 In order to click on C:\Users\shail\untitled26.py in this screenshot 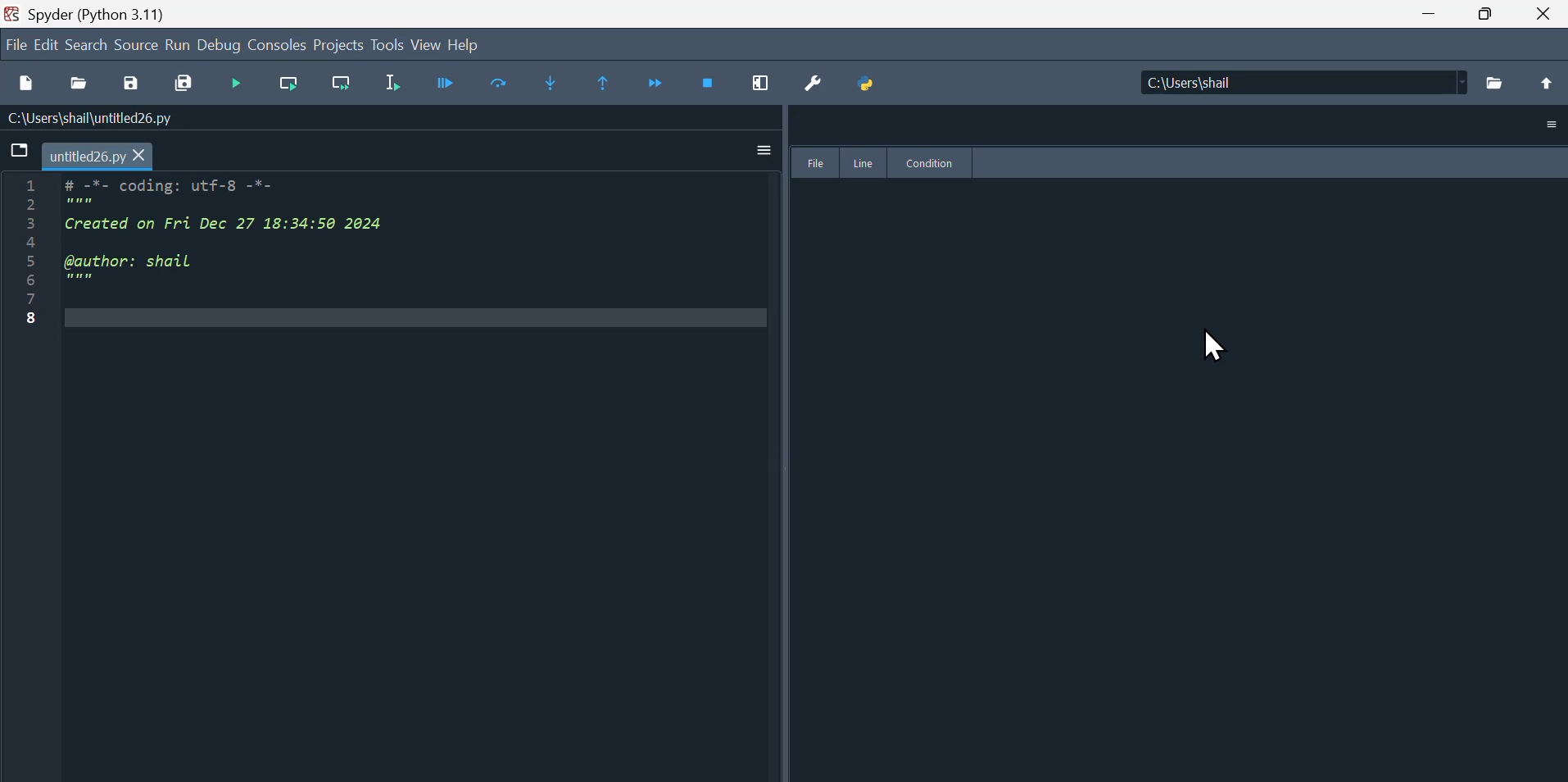, I will do `click(108, 119)`.